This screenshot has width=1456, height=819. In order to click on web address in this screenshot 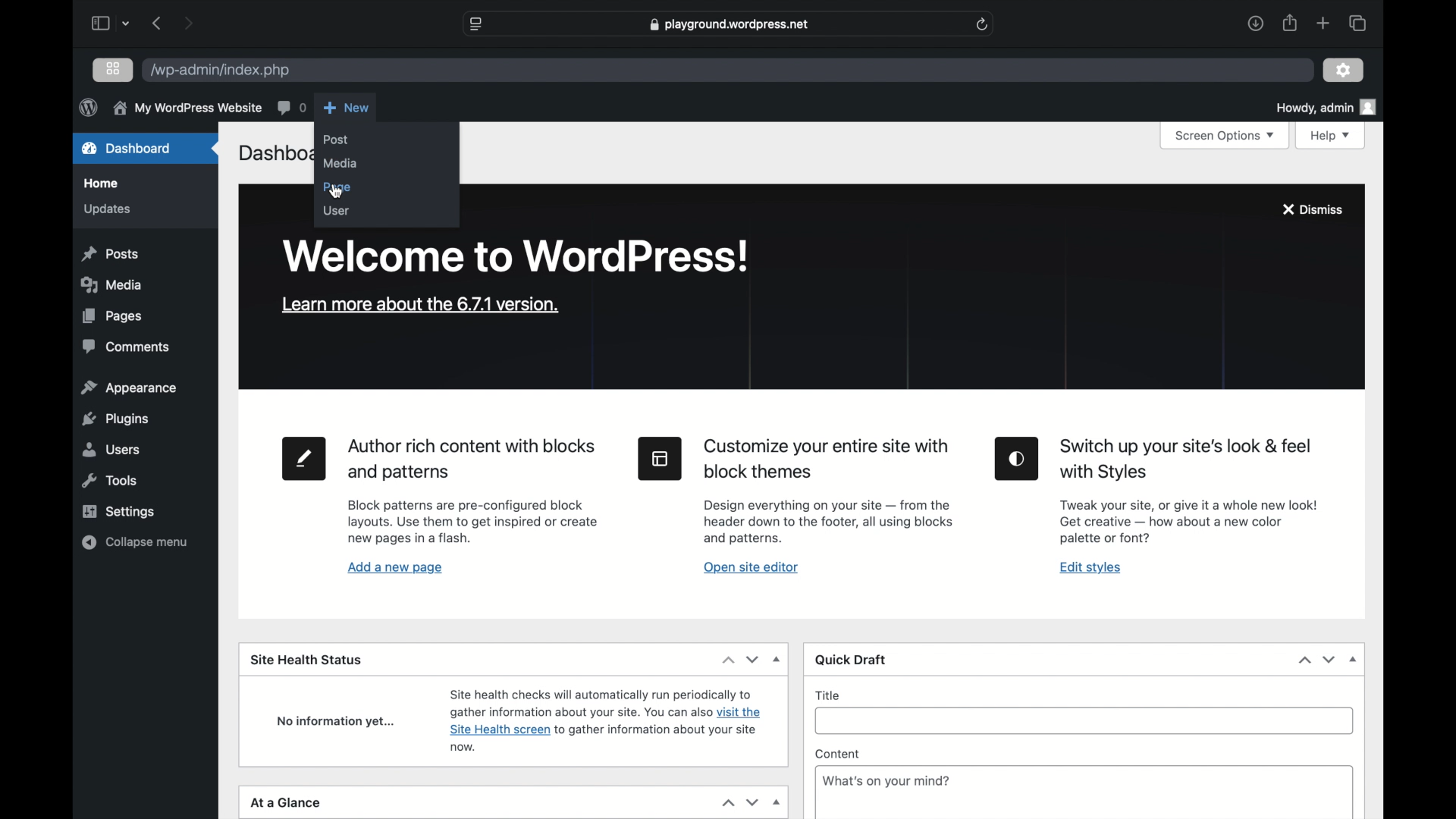, I will do `click(729, 25)`.